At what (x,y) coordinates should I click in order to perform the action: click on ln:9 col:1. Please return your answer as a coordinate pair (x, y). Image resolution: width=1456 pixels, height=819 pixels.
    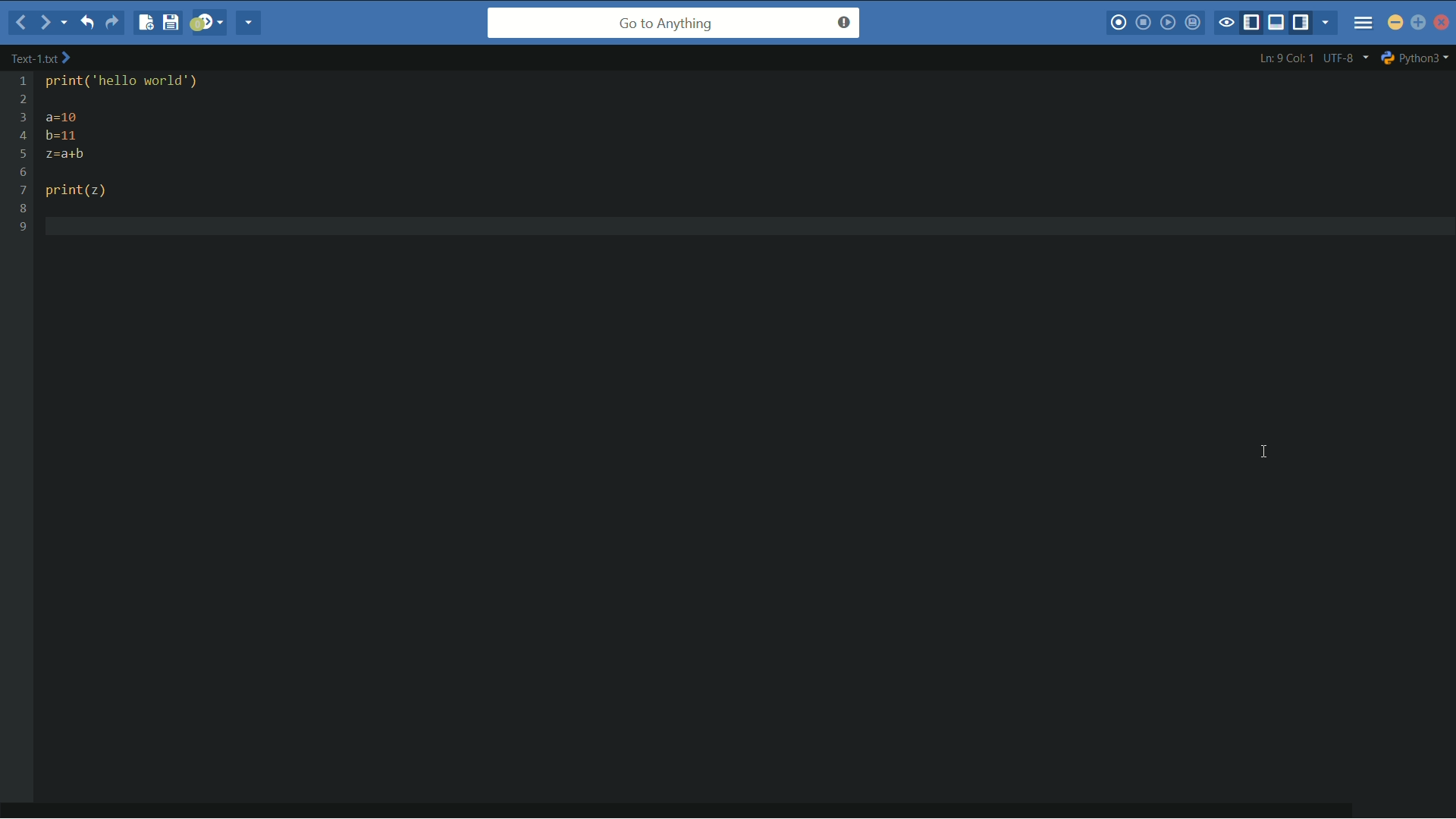
    Looking at the image, I should click on (1285, 58).